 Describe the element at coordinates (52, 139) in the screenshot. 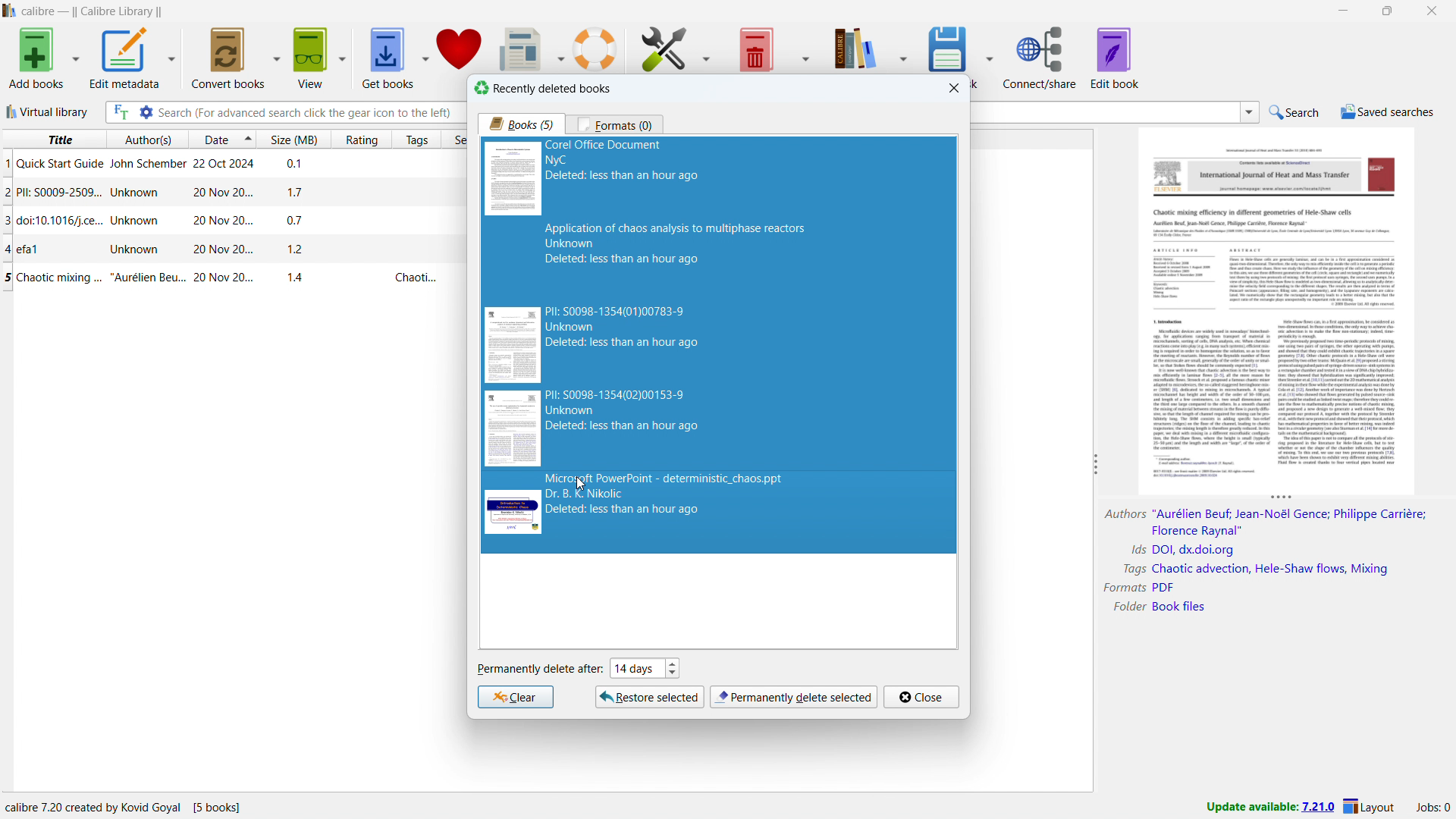

I see `sort by title` at that location.